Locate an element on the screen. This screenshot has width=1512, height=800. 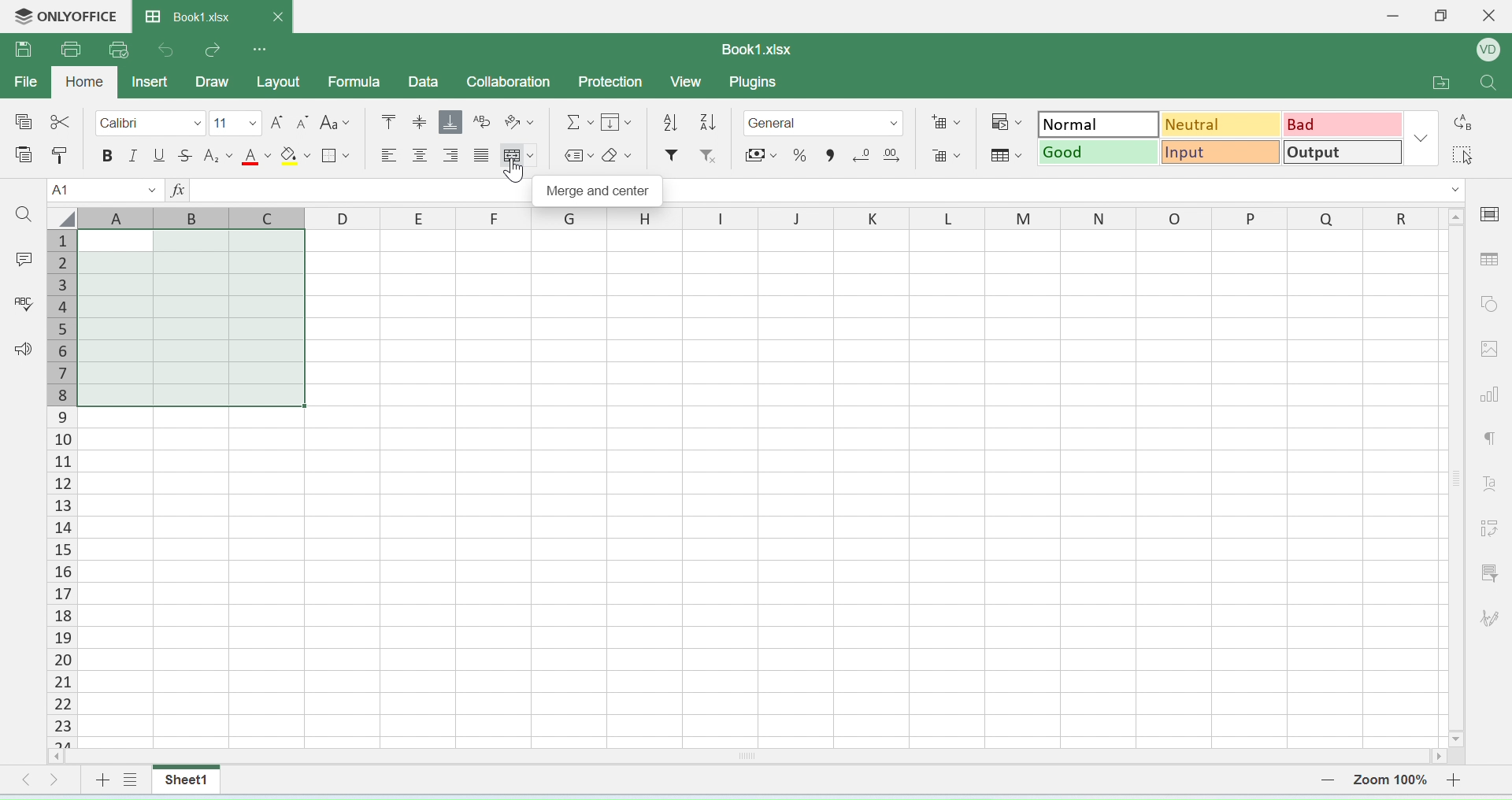
fill paint is located at coordinates (297, 154).